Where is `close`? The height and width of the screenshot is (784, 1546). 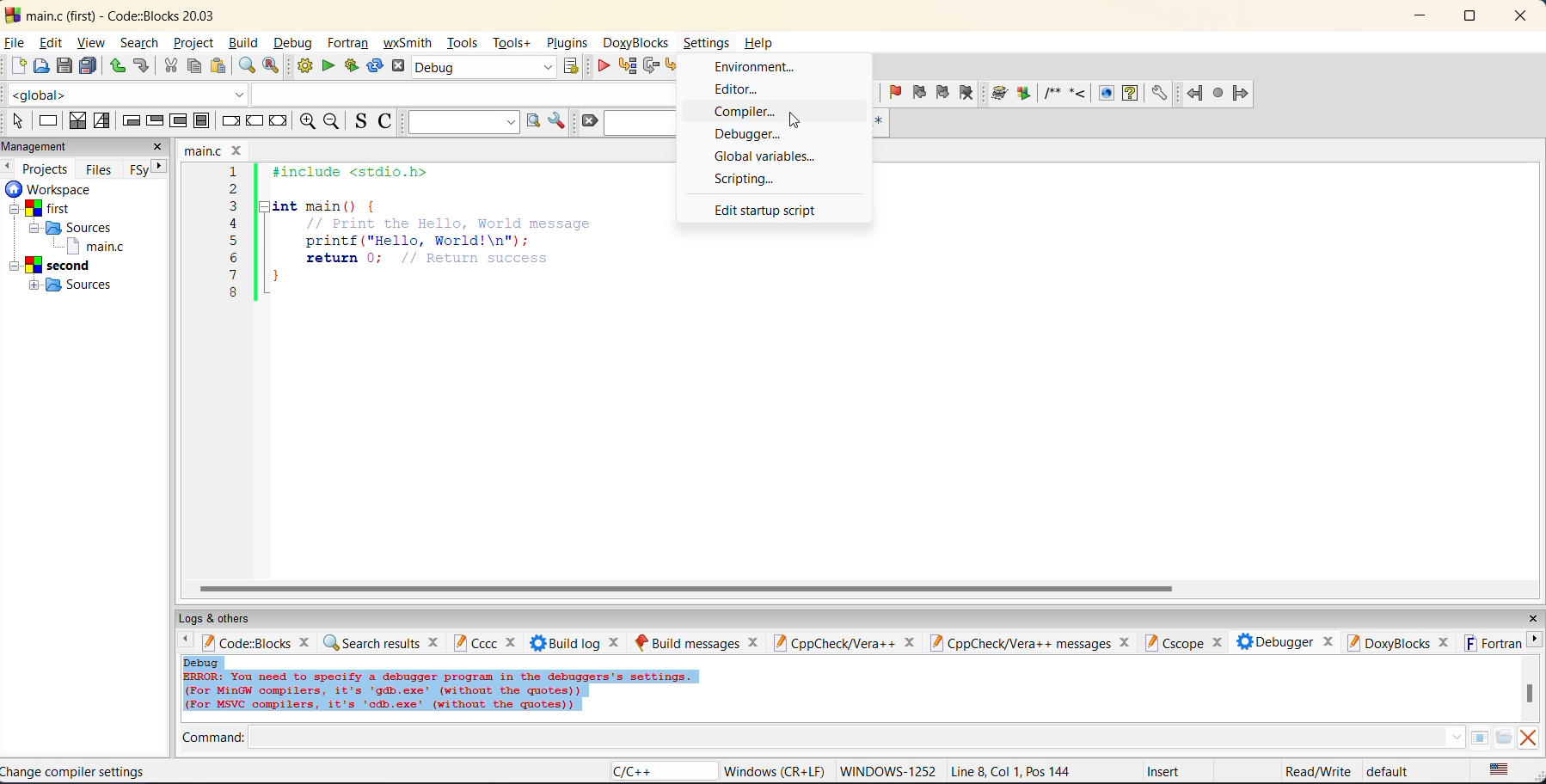
close is located at coordinates (1525, 14).